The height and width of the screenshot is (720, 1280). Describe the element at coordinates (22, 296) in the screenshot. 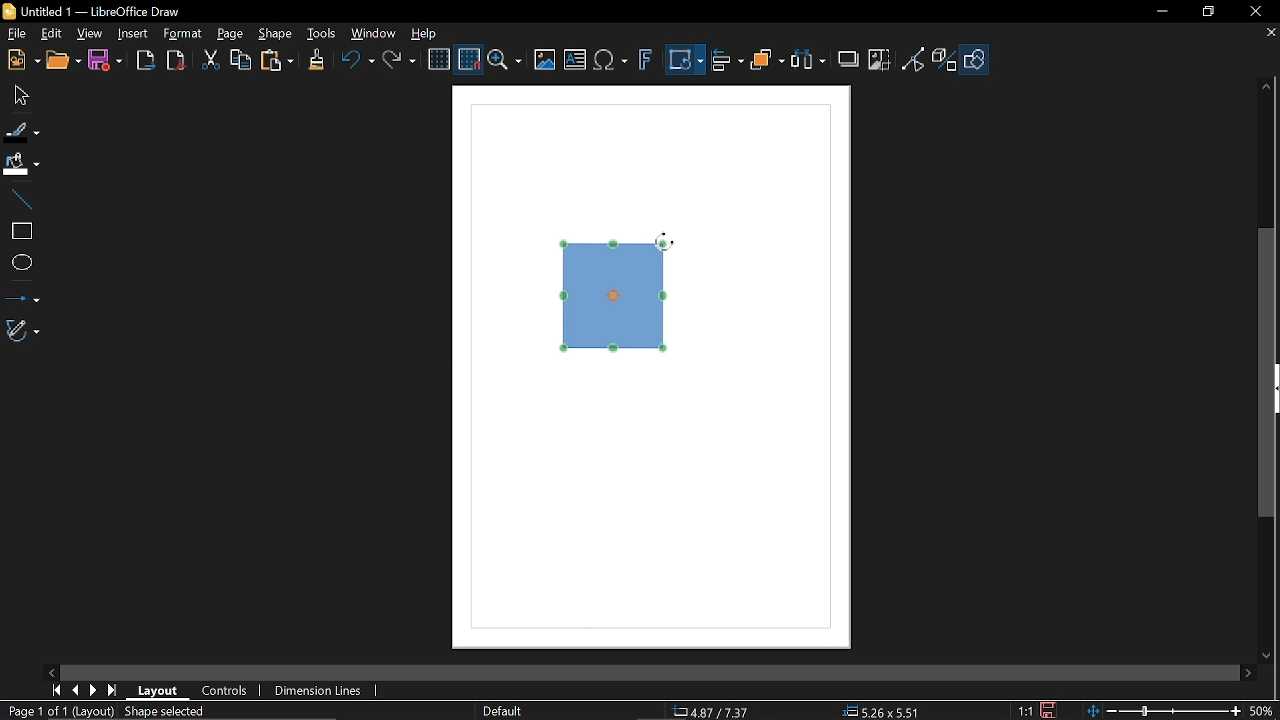

I see `Lines and arrows` at that location.